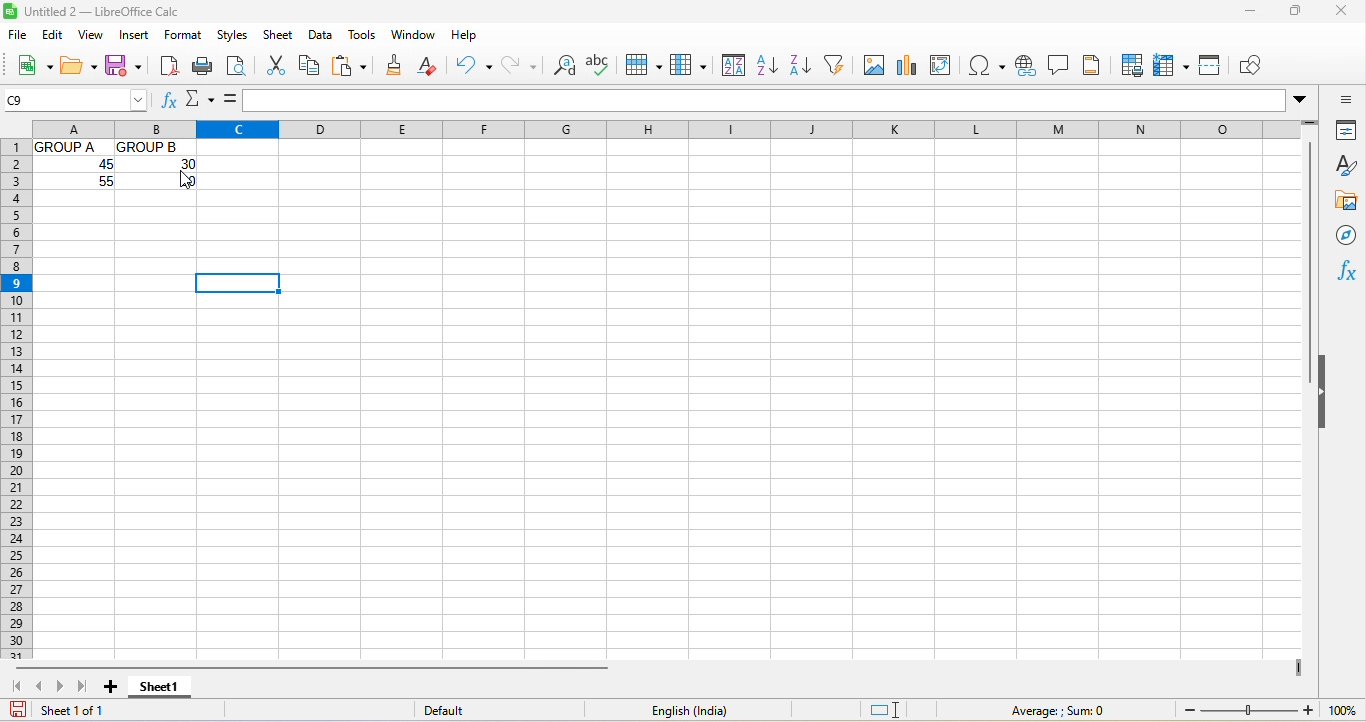 This screenshot has height=722, width=1366. Describe the element at coordinates (16, 400) in the screenshot. I see `rows` at that location.